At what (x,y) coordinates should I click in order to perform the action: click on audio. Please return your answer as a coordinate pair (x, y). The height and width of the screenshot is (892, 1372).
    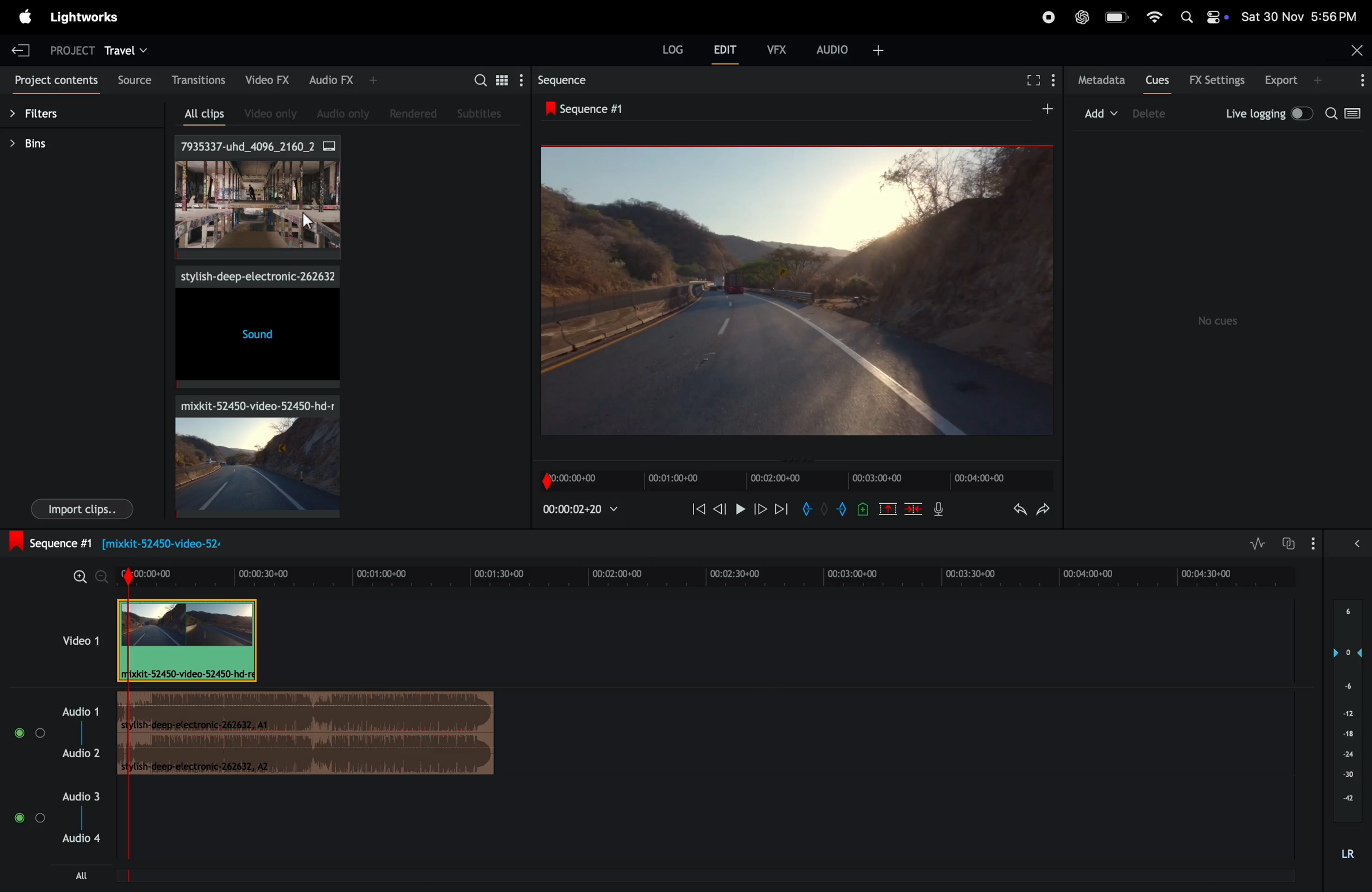
    Looking at the image, I should click on (850, 48).